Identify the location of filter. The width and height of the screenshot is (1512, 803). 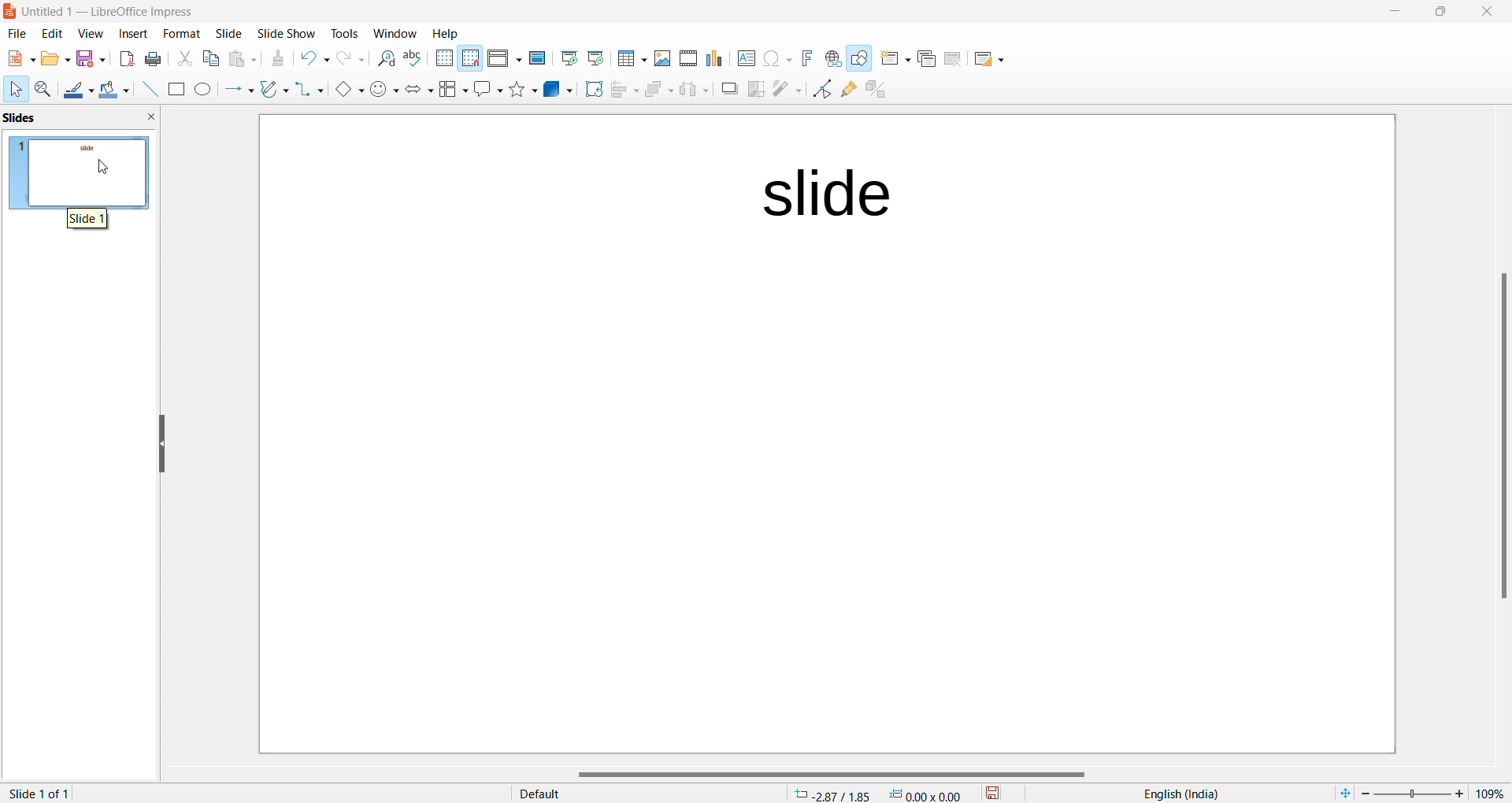
(786, 90).